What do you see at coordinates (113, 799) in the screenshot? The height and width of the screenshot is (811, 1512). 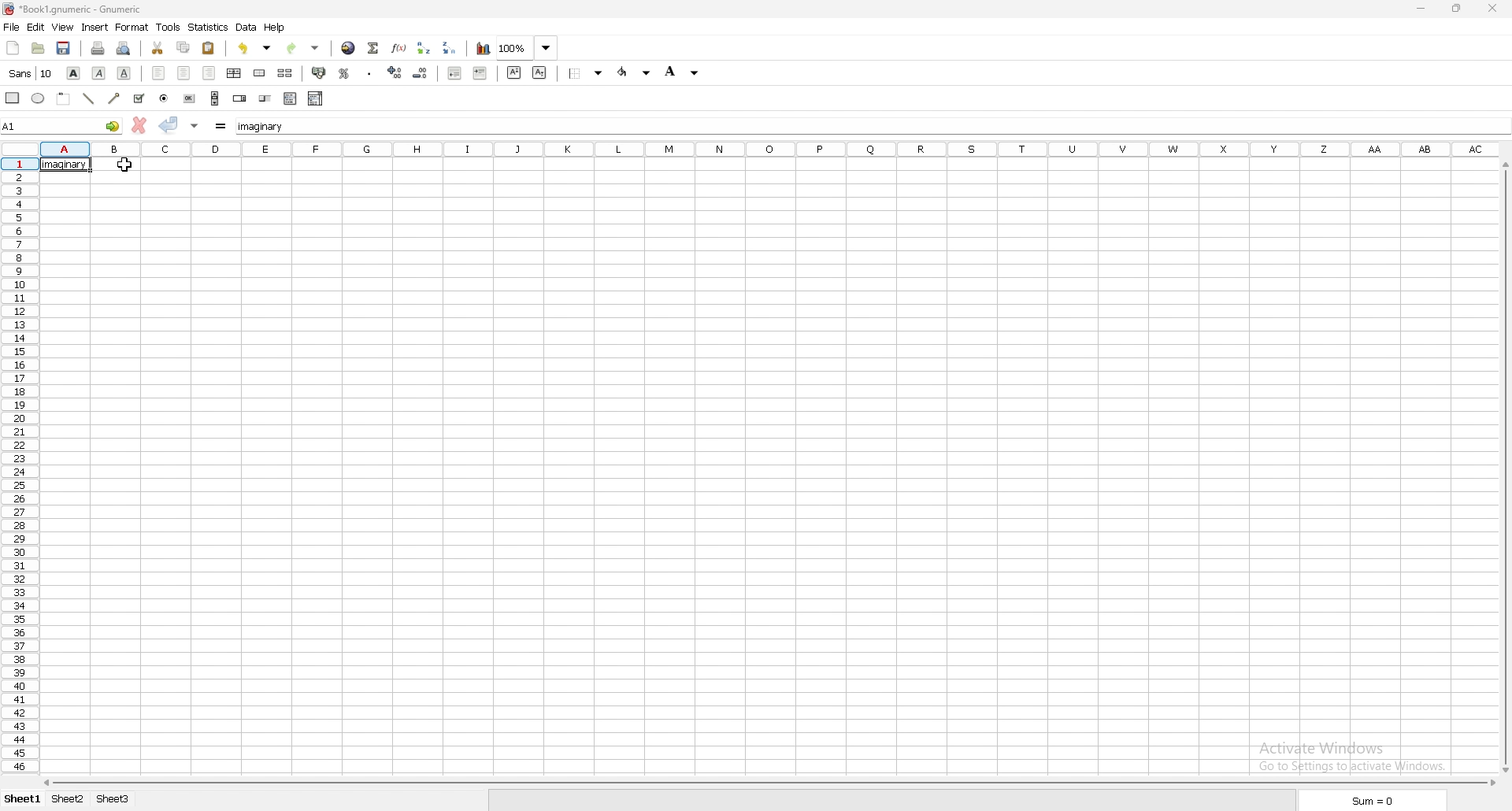 I see `sheet 3` at bounding box center [113, 799].